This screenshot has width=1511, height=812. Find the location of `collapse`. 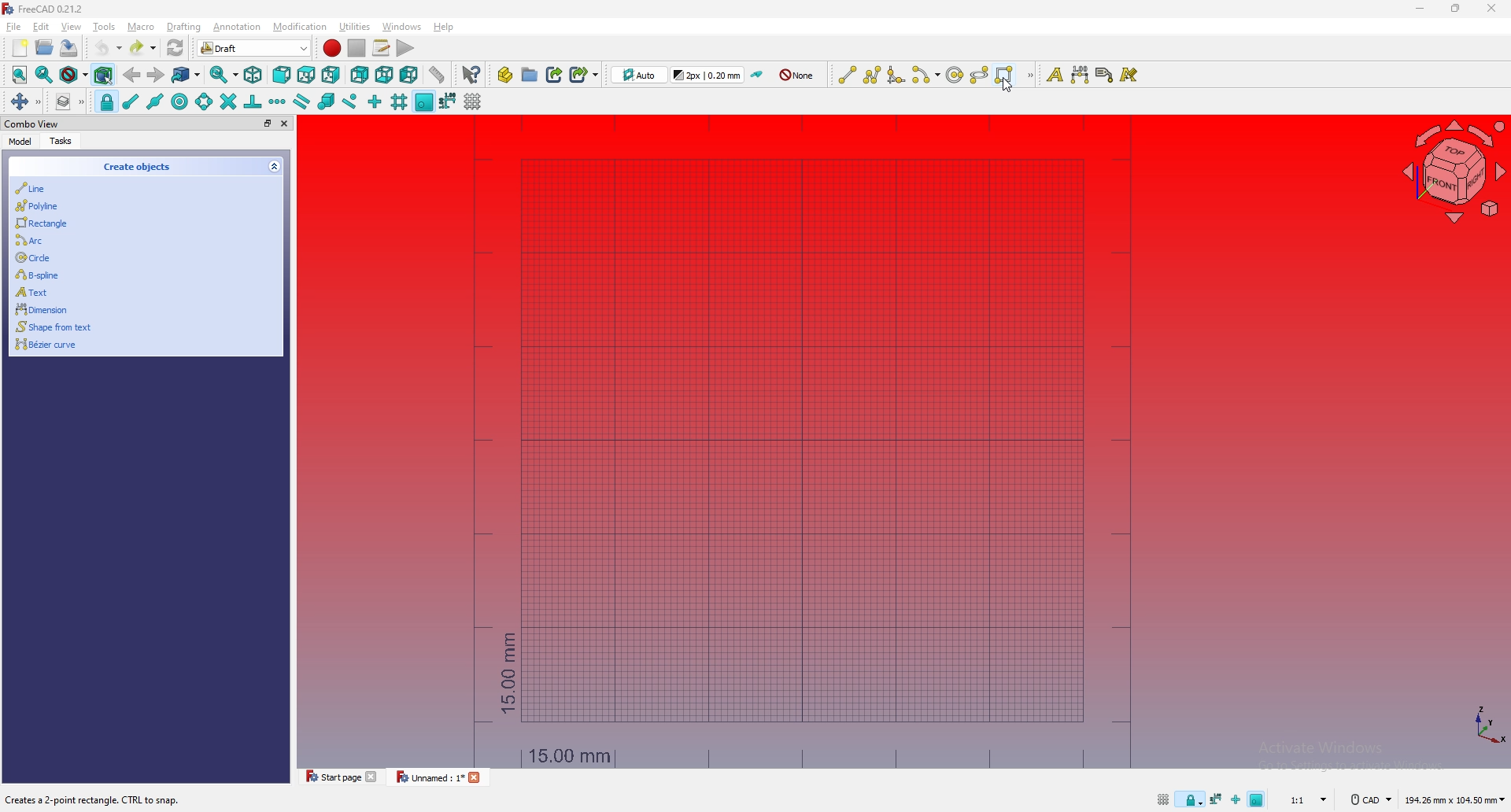

collapse is located at coordinates (274, 167).